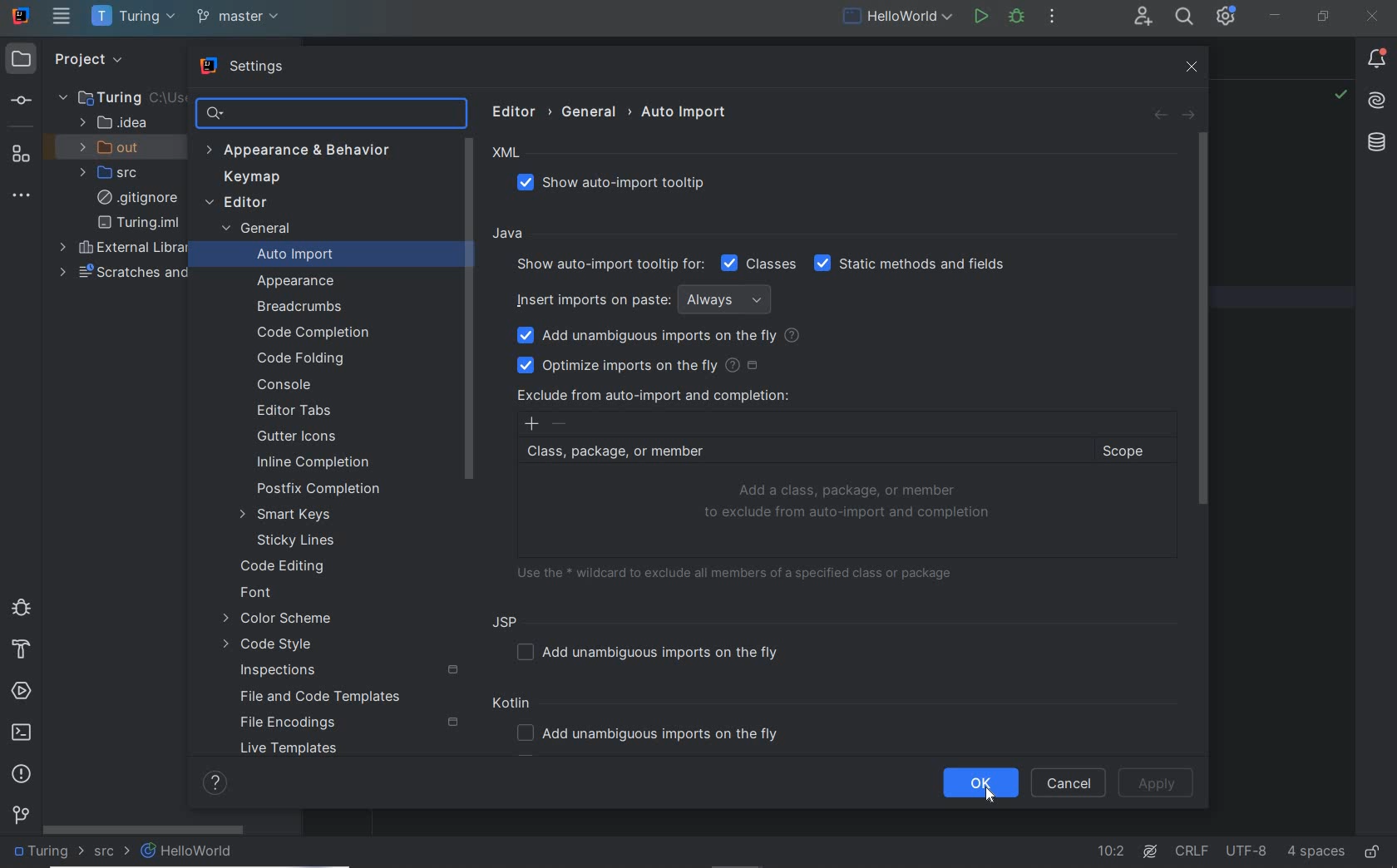 Image resolution: width=1397 pixels, height=868 pixels. Describe the element at coordinates (131, 272) in the screenshot. I see `scratches and consoles` at that location.